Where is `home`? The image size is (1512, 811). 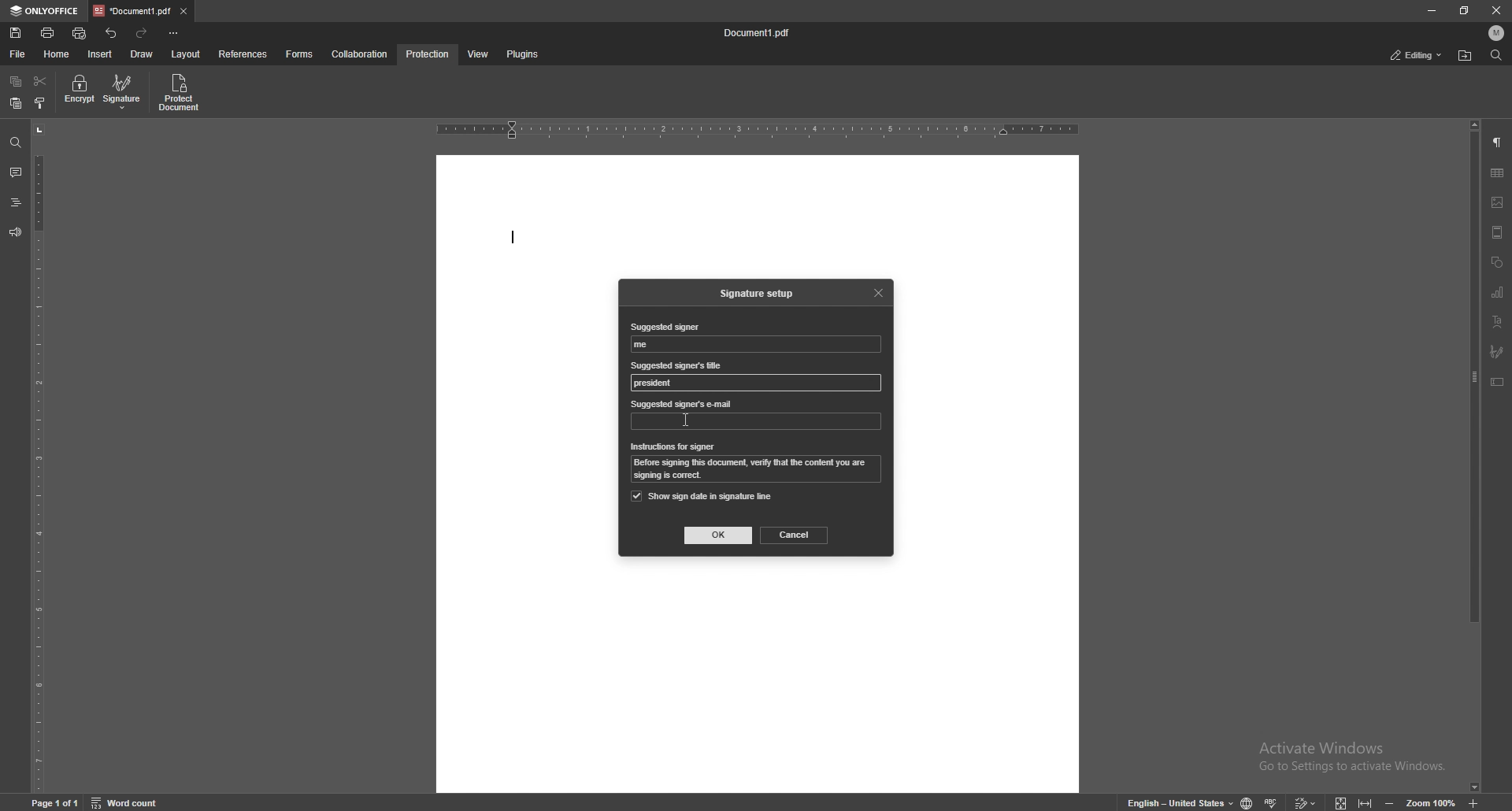
home is located at coordinates (59, 54).